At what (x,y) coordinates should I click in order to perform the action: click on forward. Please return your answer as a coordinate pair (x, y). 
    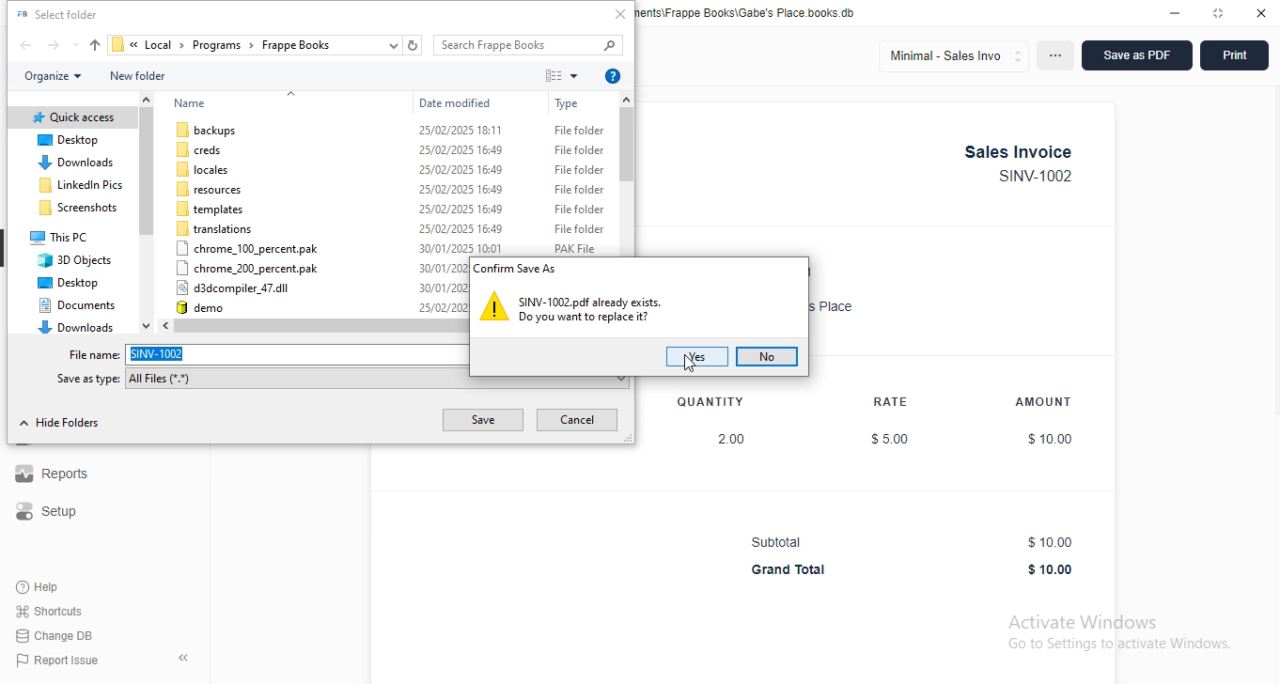
    Looking at the image, I should click on (53, 44).